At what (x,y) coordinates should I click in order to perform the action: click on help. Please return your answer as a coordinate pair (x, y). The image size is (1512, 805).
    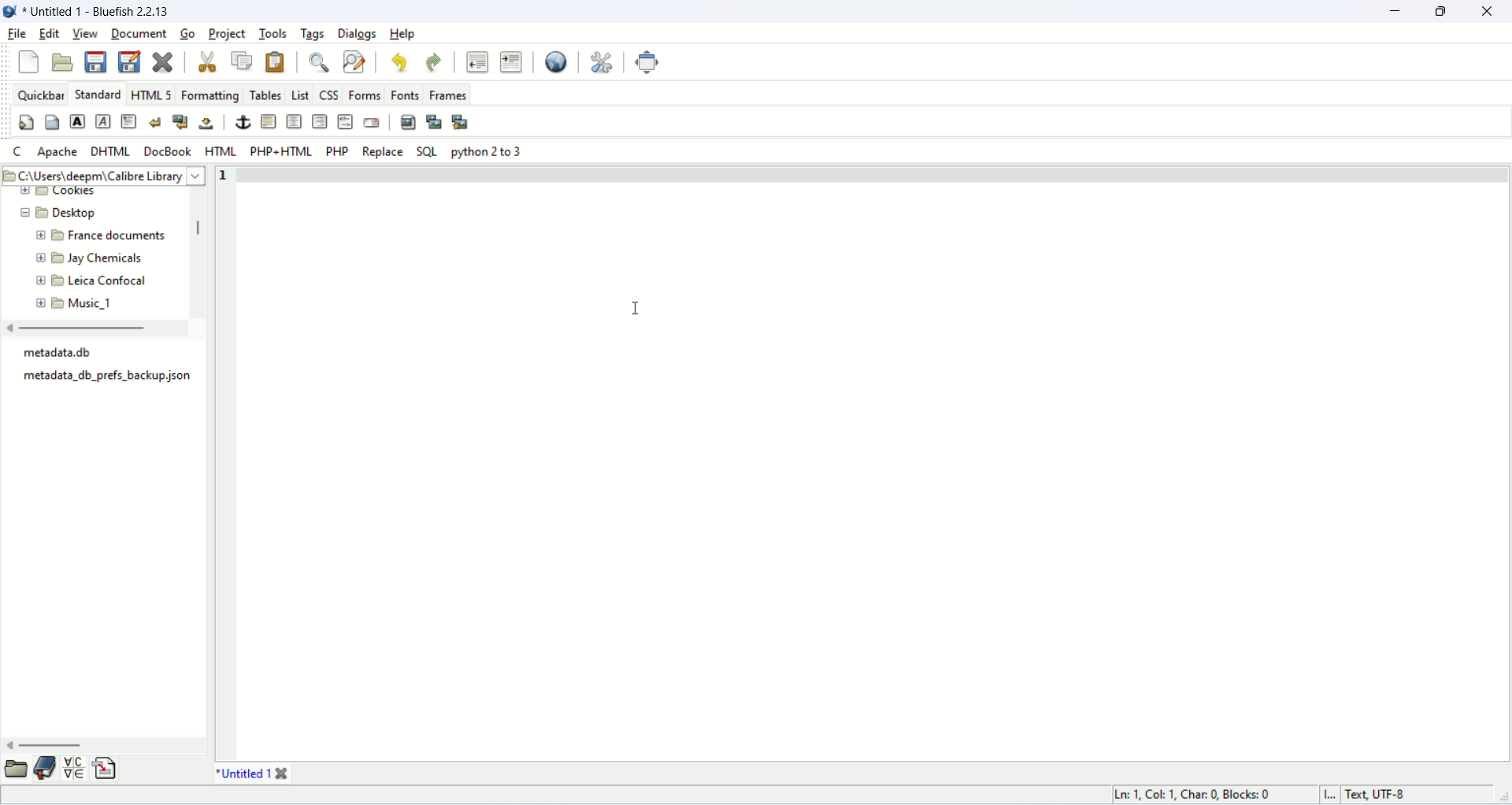
    Looking at the image, I should click on (403, 34).